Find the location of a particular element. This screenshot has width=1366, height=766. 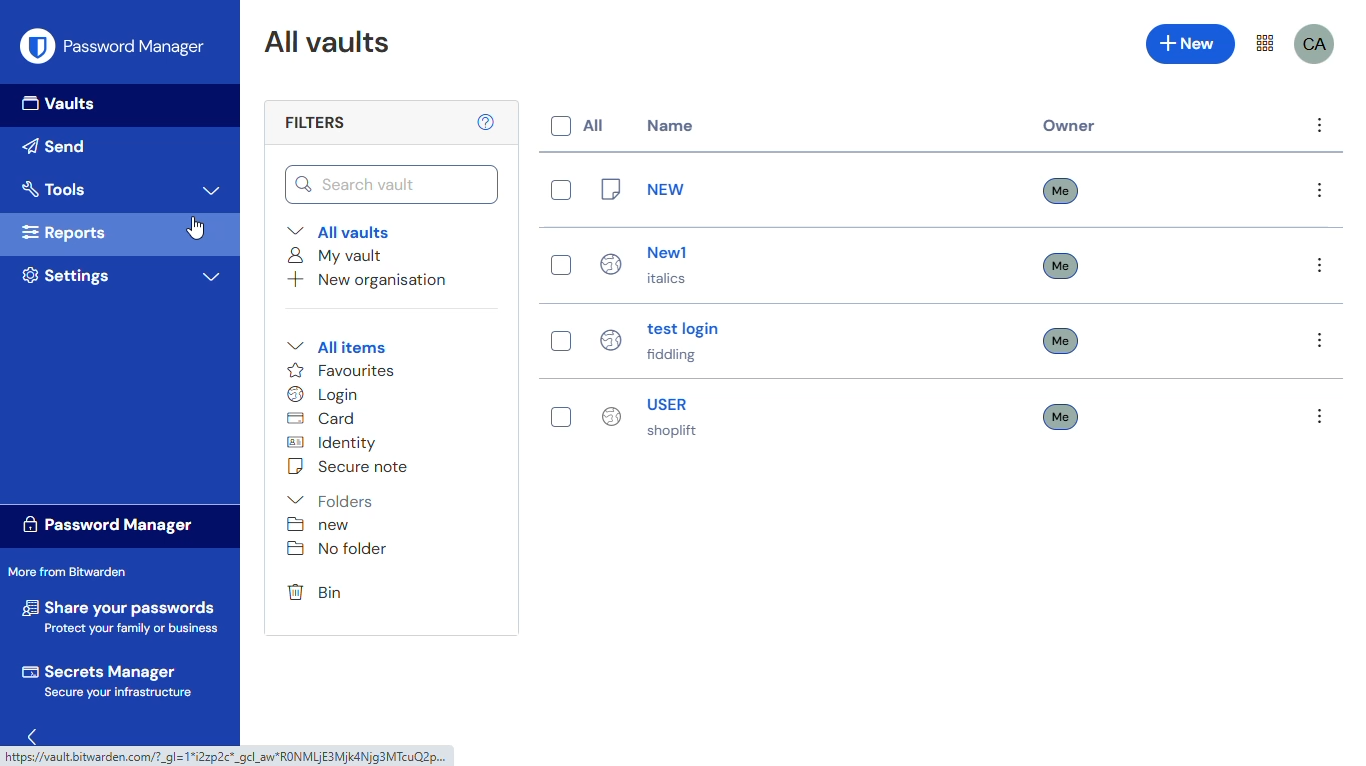

more from bitwarden is located at coordinates (71, 572).